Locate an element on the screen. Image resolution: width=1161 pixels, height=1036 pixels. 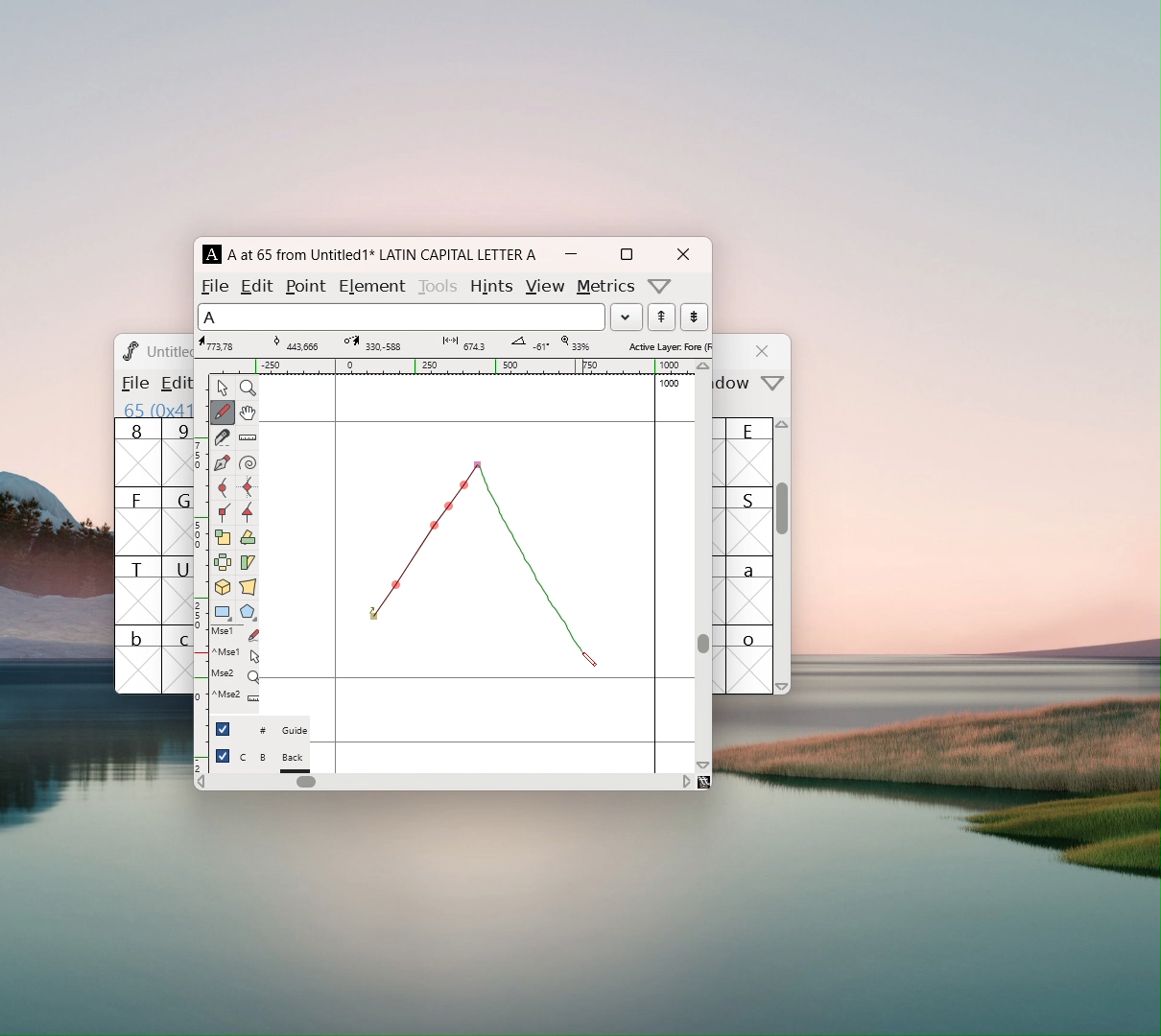
T is located at coordinates (138, 590).